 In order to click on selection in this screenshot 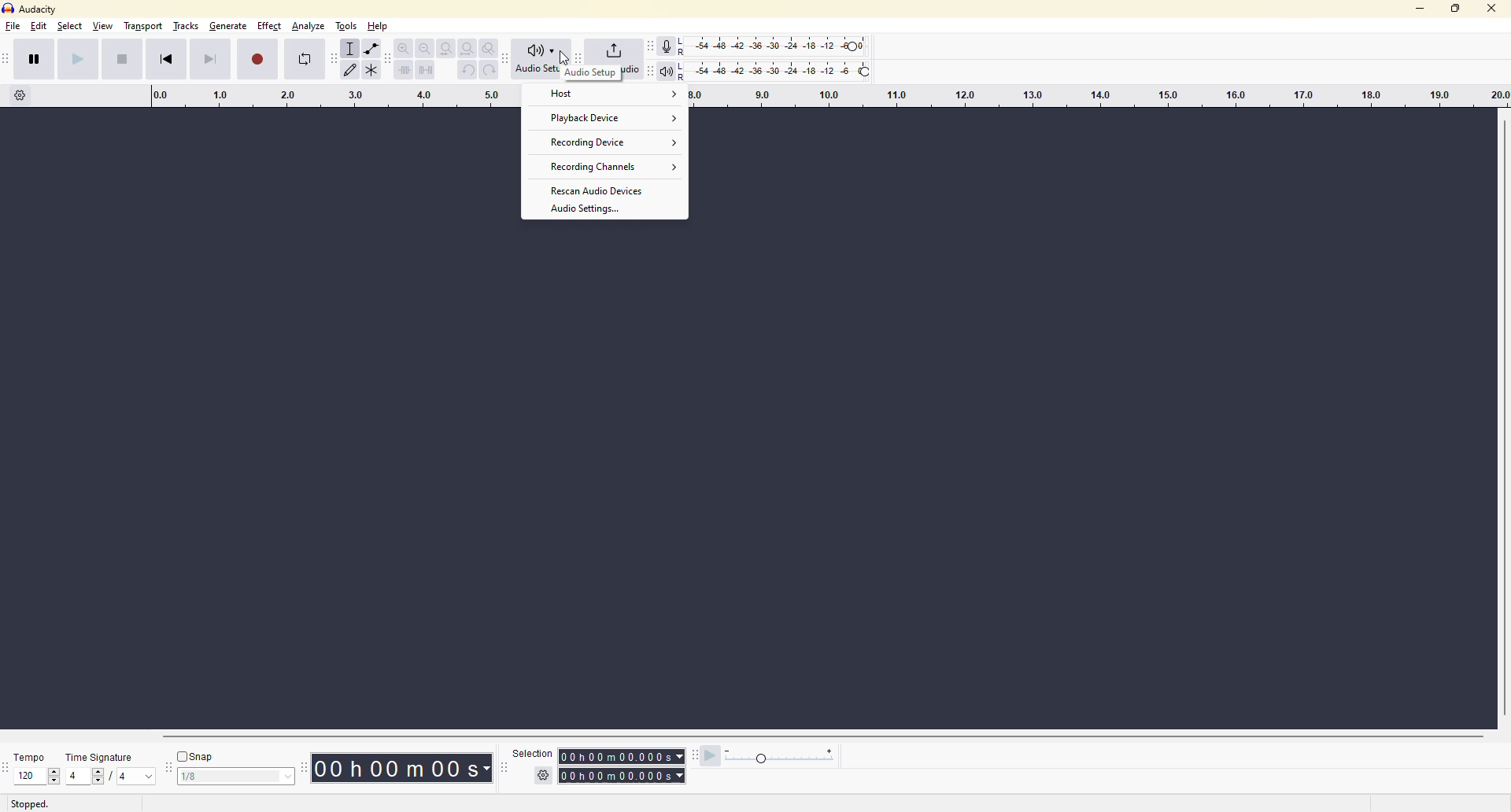, I will do `click(530, 754)`.